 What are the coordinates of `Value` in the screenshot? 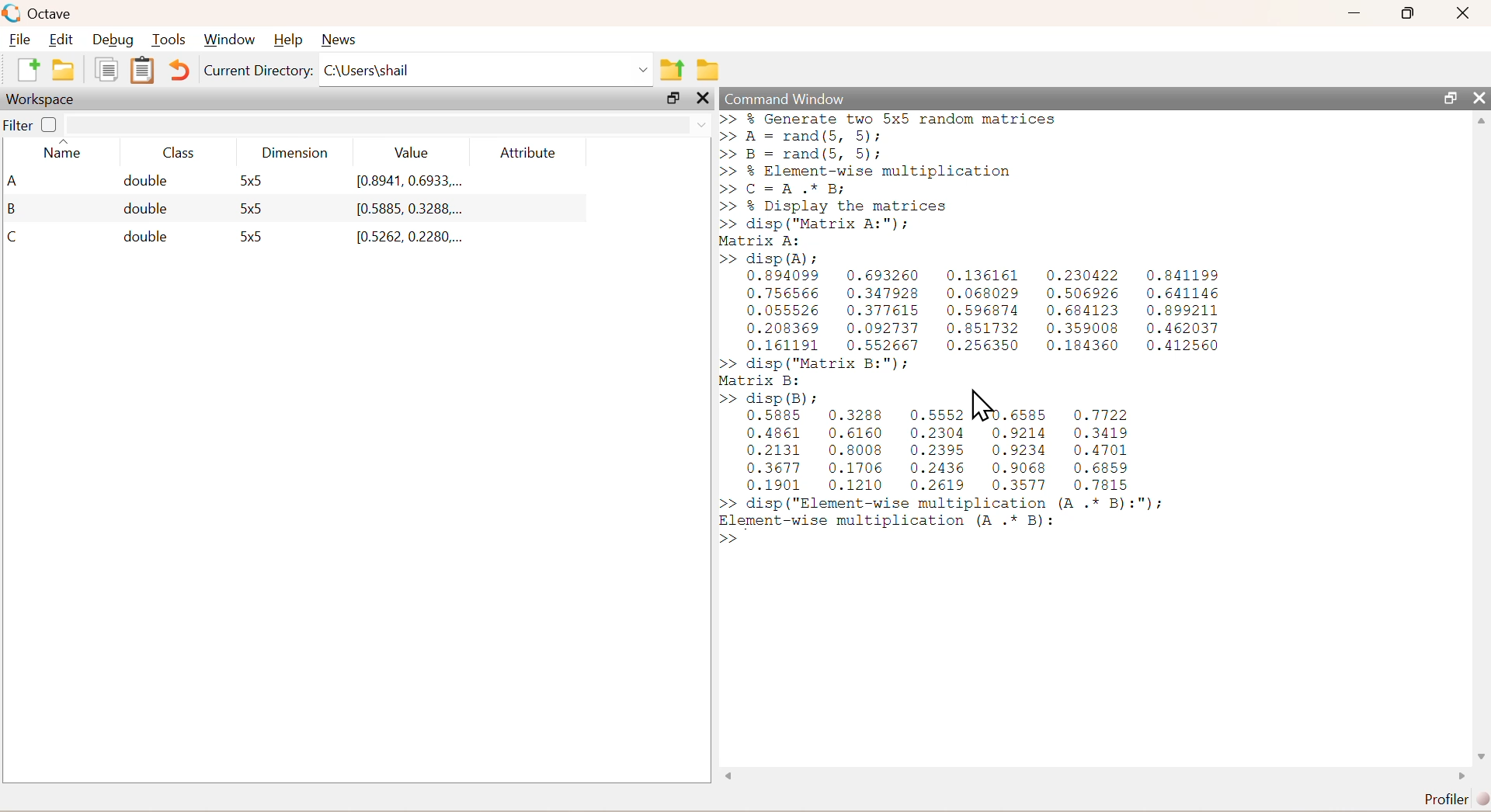 It's located at (410, 151).